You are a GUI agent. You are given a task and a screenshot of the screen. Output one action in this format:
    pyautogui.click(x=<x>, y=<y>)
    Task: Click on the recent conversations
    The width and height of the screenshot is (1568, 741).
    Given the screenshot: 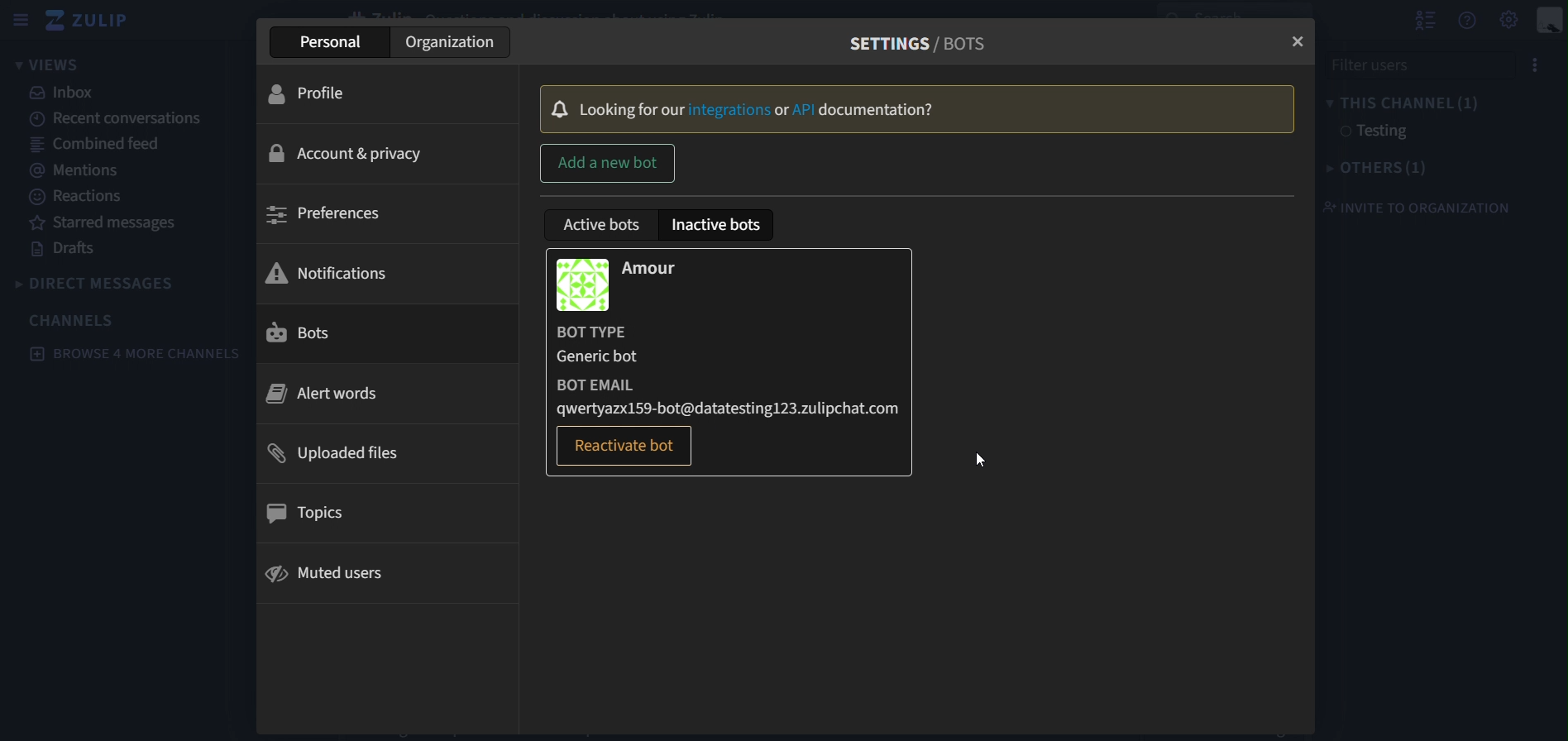 What is the action you would take?
    pyautogui.click(x=128, y=117)
    